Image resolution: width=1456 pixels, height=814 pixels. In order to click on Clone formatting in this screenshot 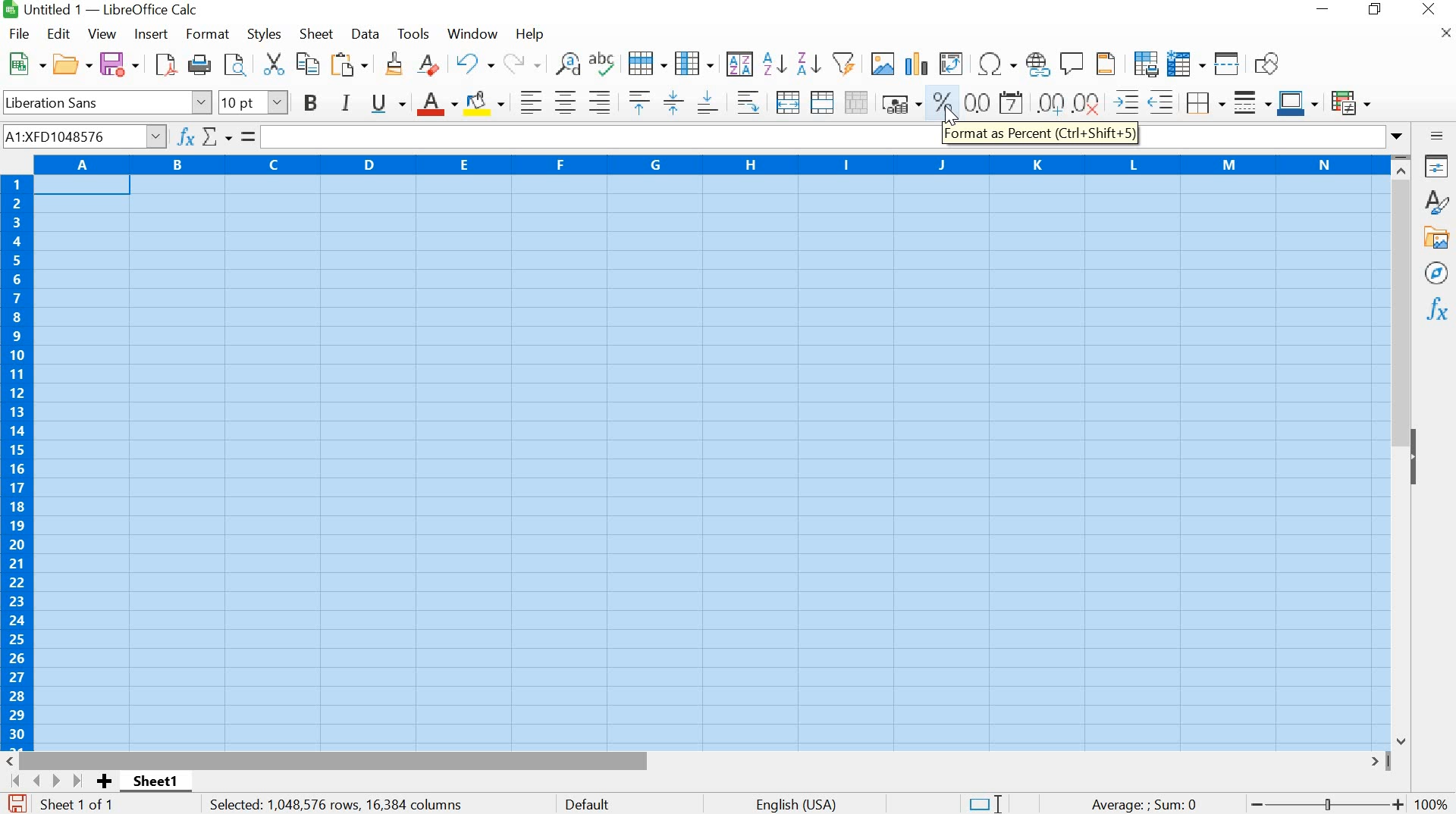, I will do `click(393, 64)`.